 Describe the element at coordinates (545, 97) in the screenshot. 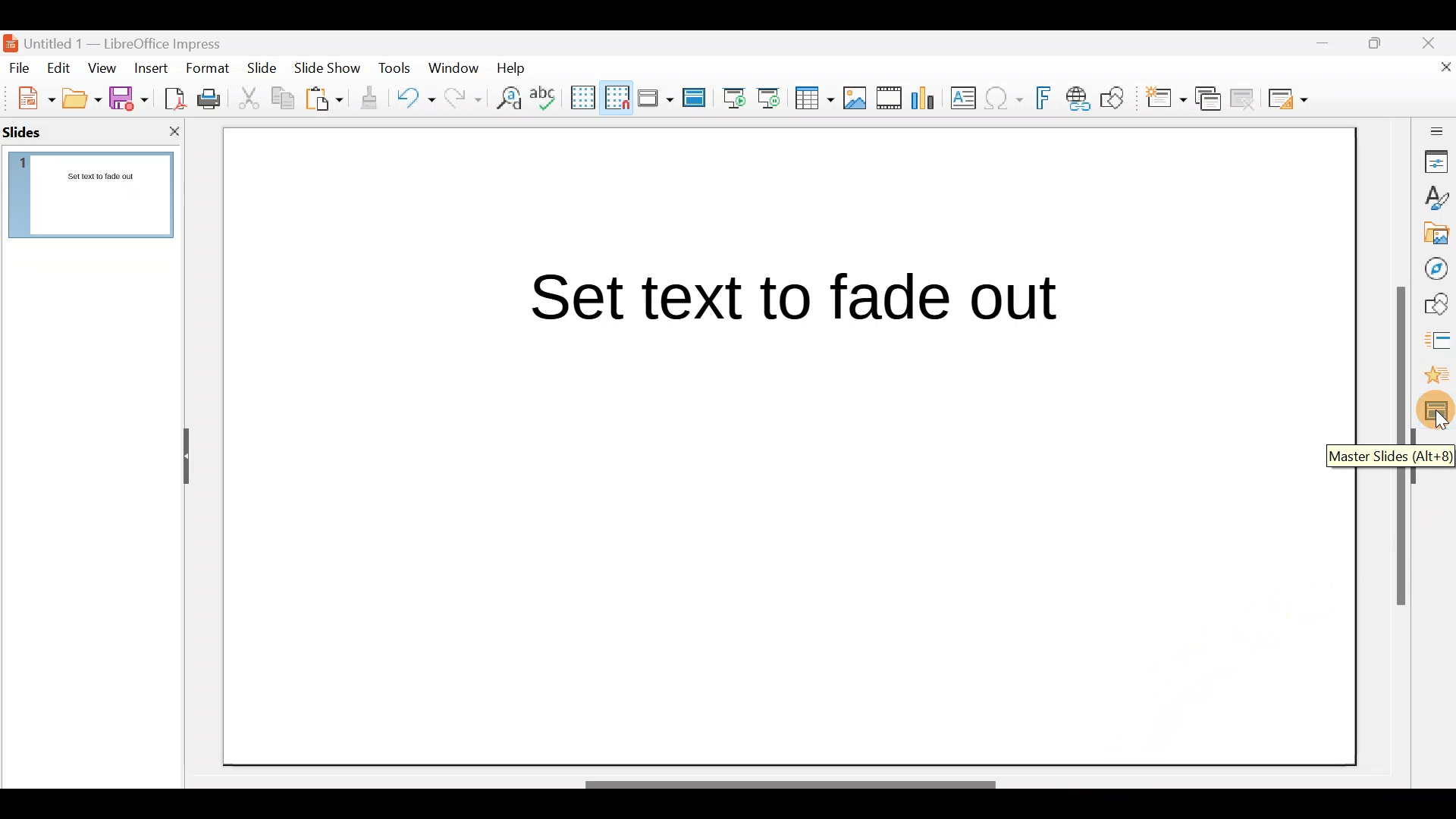

I see `Spelling` at that location.